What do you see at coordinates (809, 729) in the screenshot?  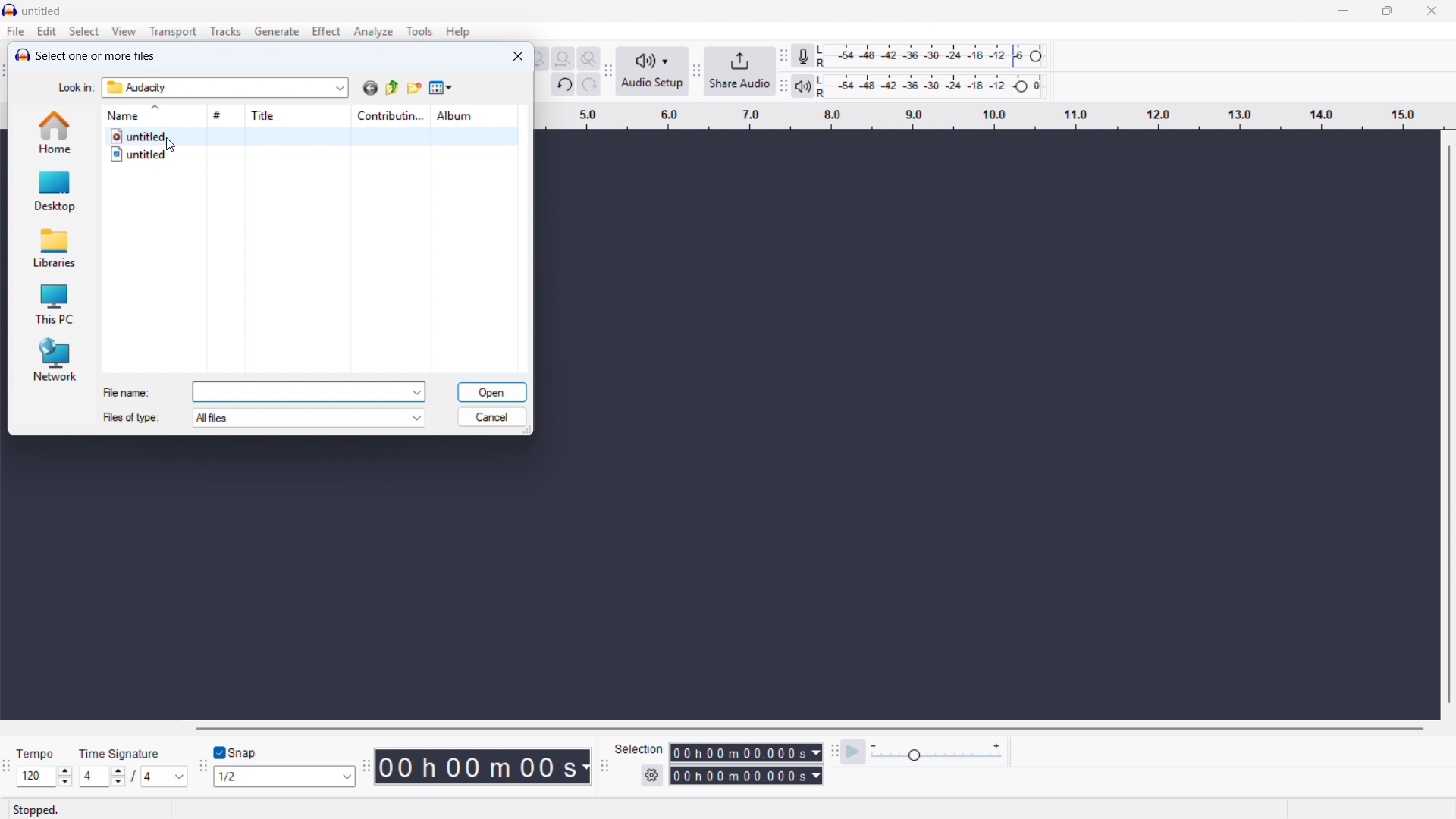 I see `Horizontal scroll bar` at bounding box center [809, 729].